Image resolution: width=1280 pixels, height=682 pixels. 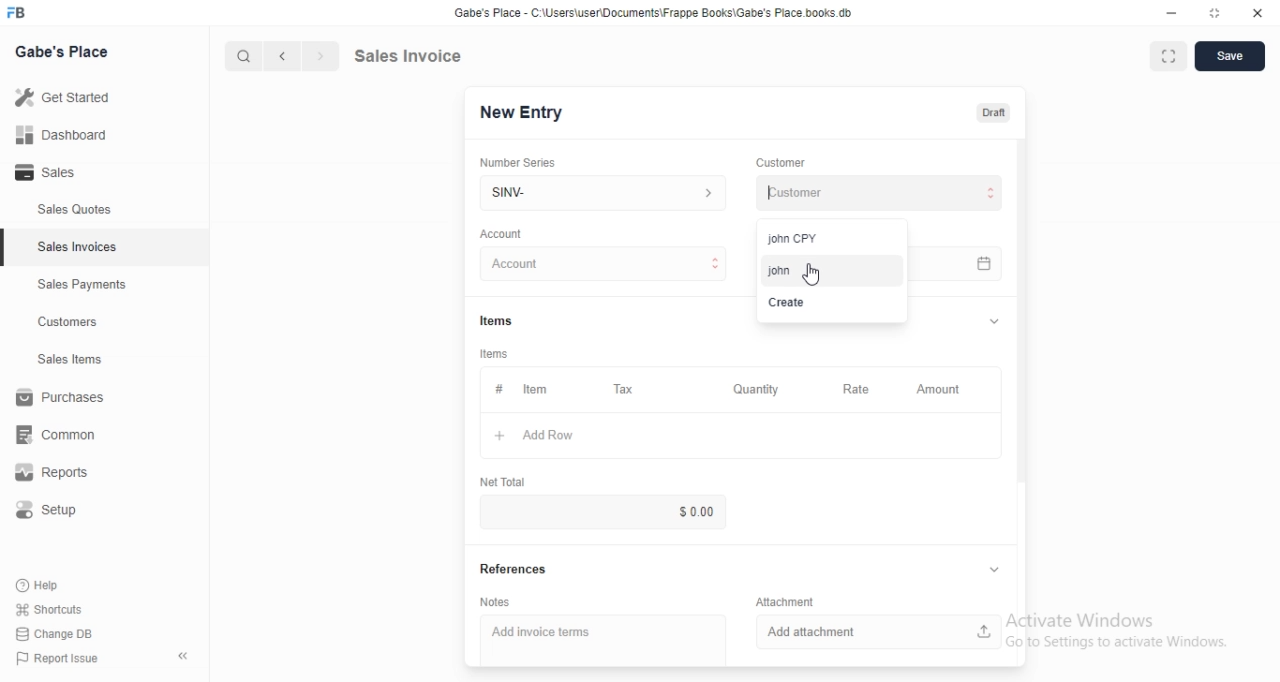 I want to click on maximize, so click(x=1216, y=15).